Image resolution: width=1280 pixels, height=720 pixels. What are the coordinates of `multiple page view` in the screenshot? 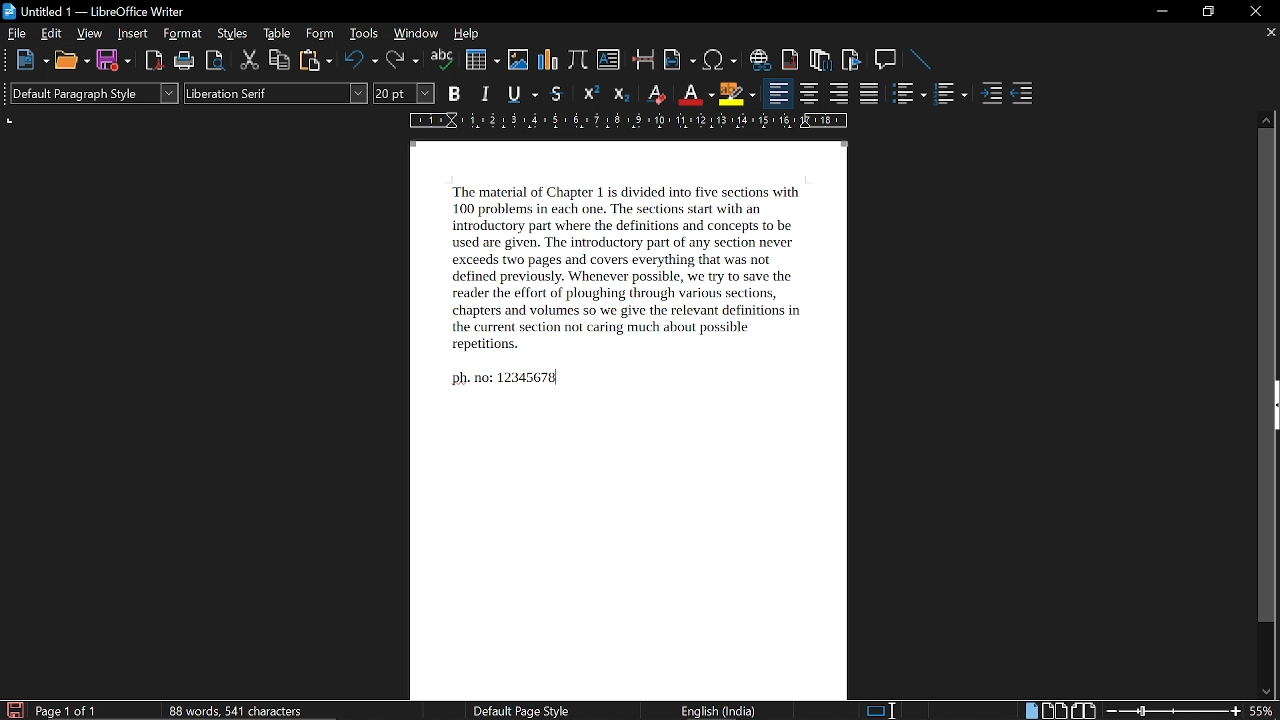 It's located at (1055, 711).